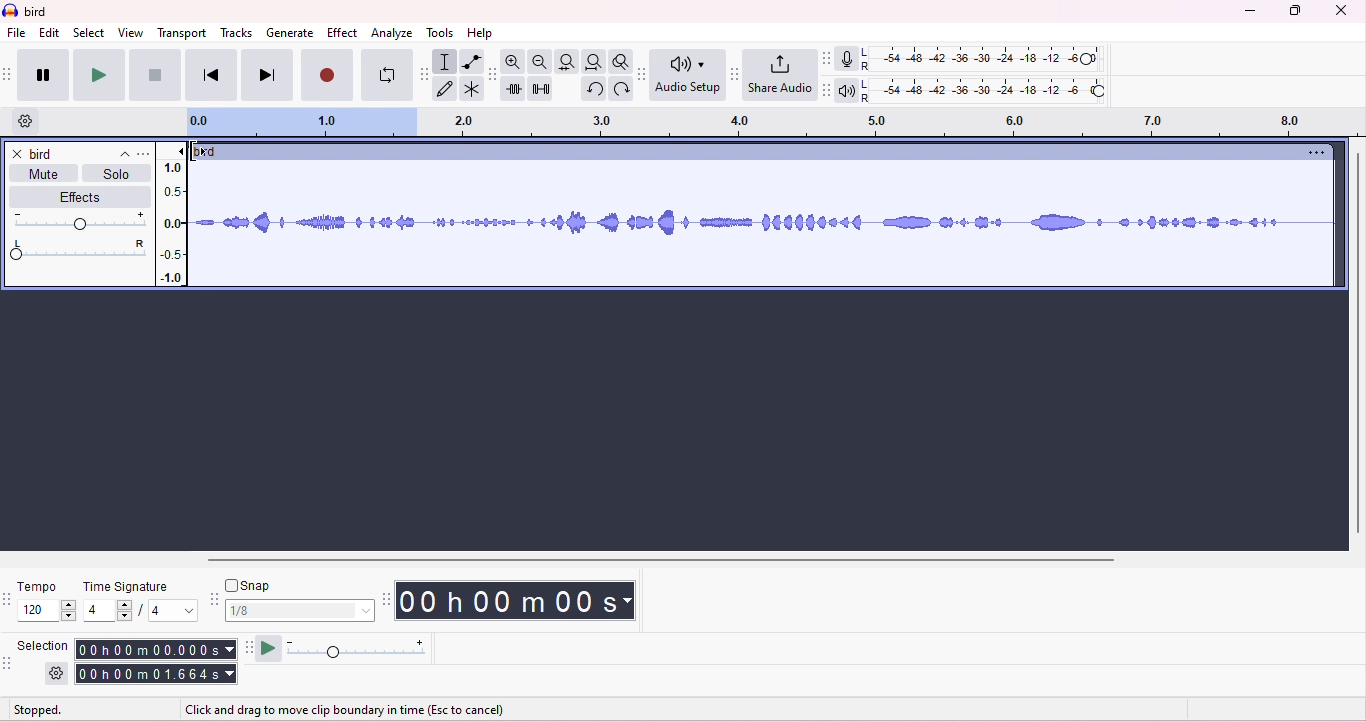  I want to click on cursor position, so click(196, 151).